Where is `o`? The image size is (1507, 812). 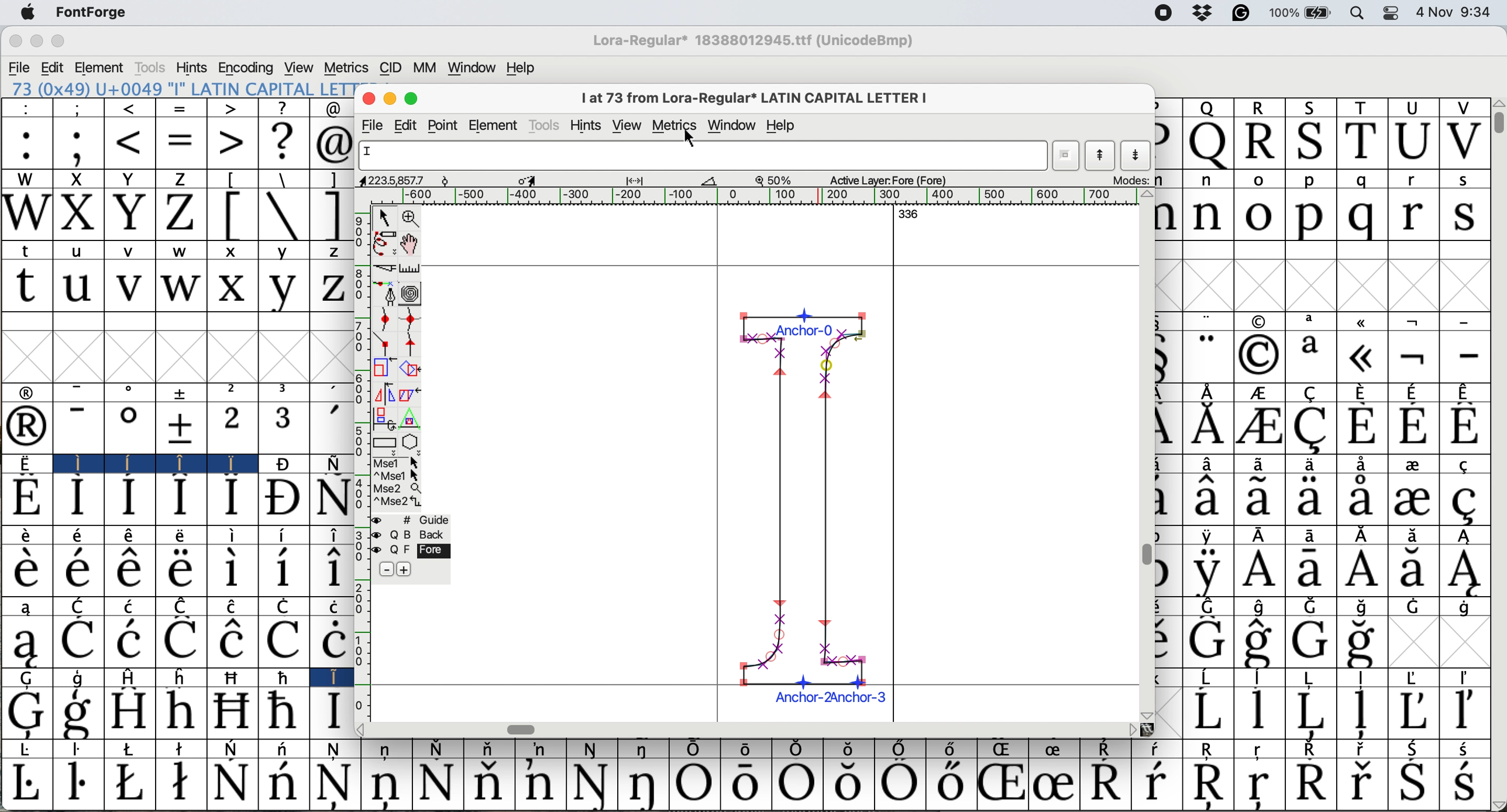
o is located at coordinates (1261, 214).